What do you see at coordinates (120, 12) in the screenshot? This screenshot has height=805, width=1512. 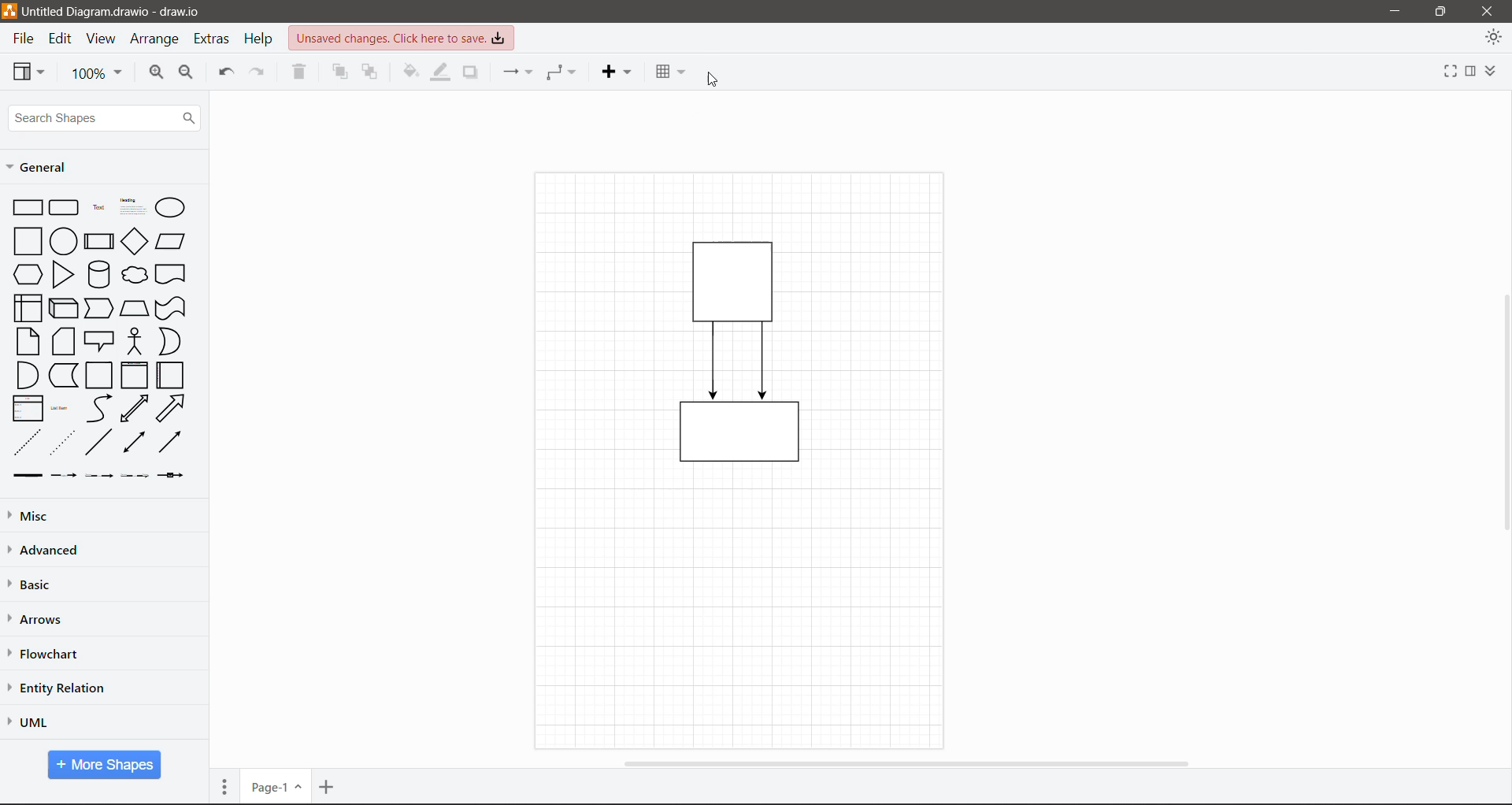 I see `Untitled Diagram.drawio - draw.io` at bounding box center [120, 12].